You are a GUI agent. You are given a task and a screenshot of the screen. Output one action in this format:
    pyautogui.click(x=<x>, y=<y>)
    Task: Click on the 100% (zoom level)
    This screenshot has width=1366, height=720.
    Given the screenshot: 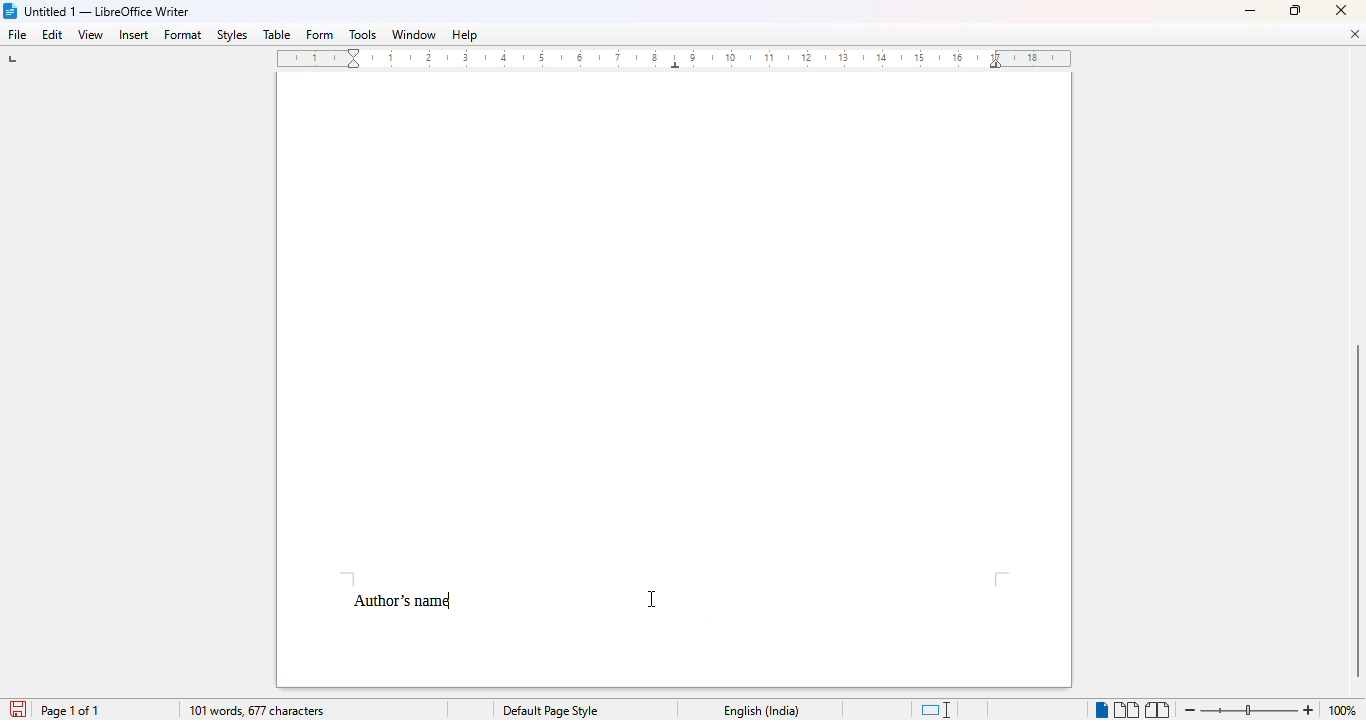 What is the action you would take?
    pyautogui.click(x=1343, y=710)
    